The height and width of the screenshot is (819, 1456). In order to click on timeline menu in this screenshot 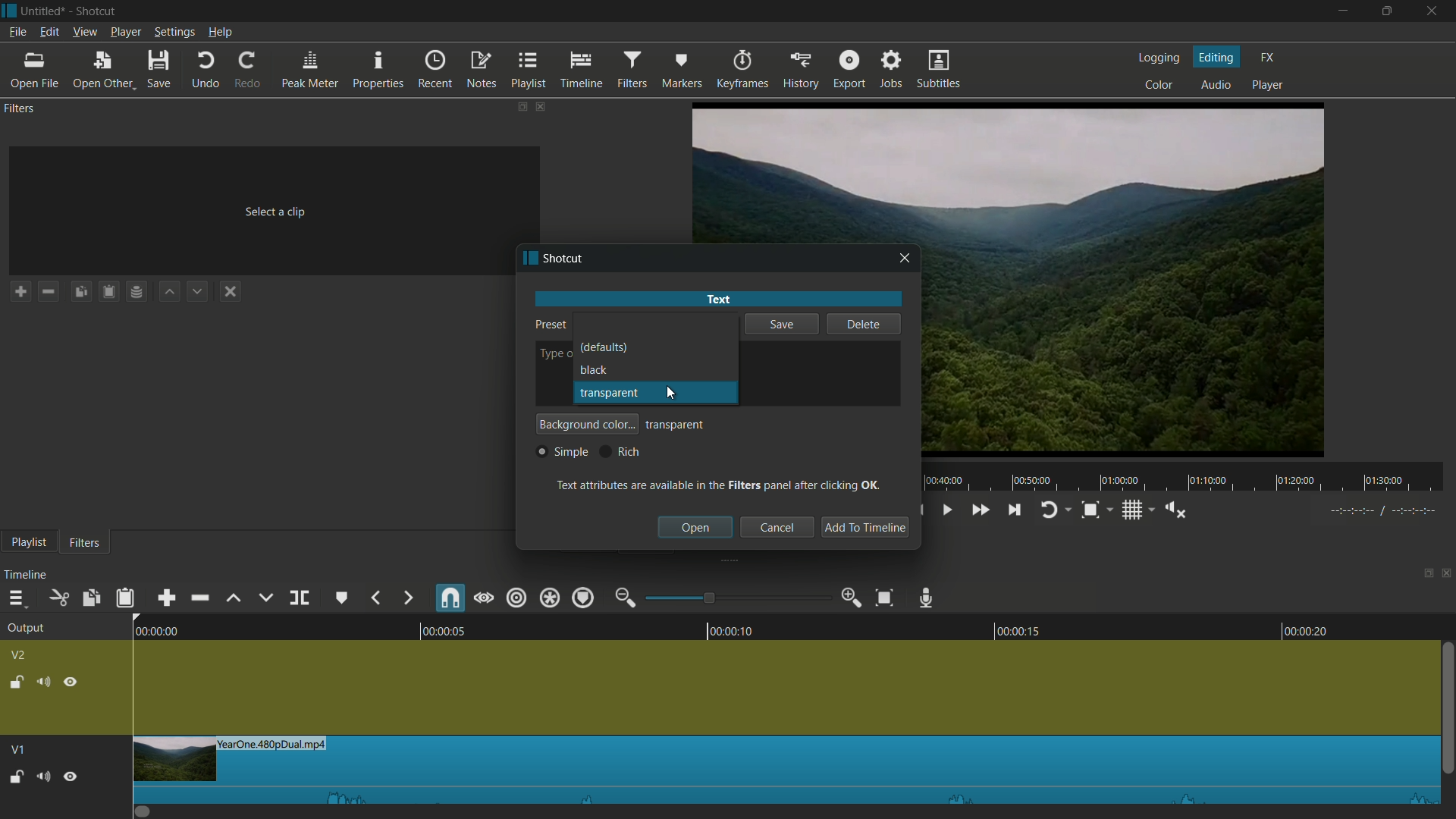, I will do `click(15, 598)`.